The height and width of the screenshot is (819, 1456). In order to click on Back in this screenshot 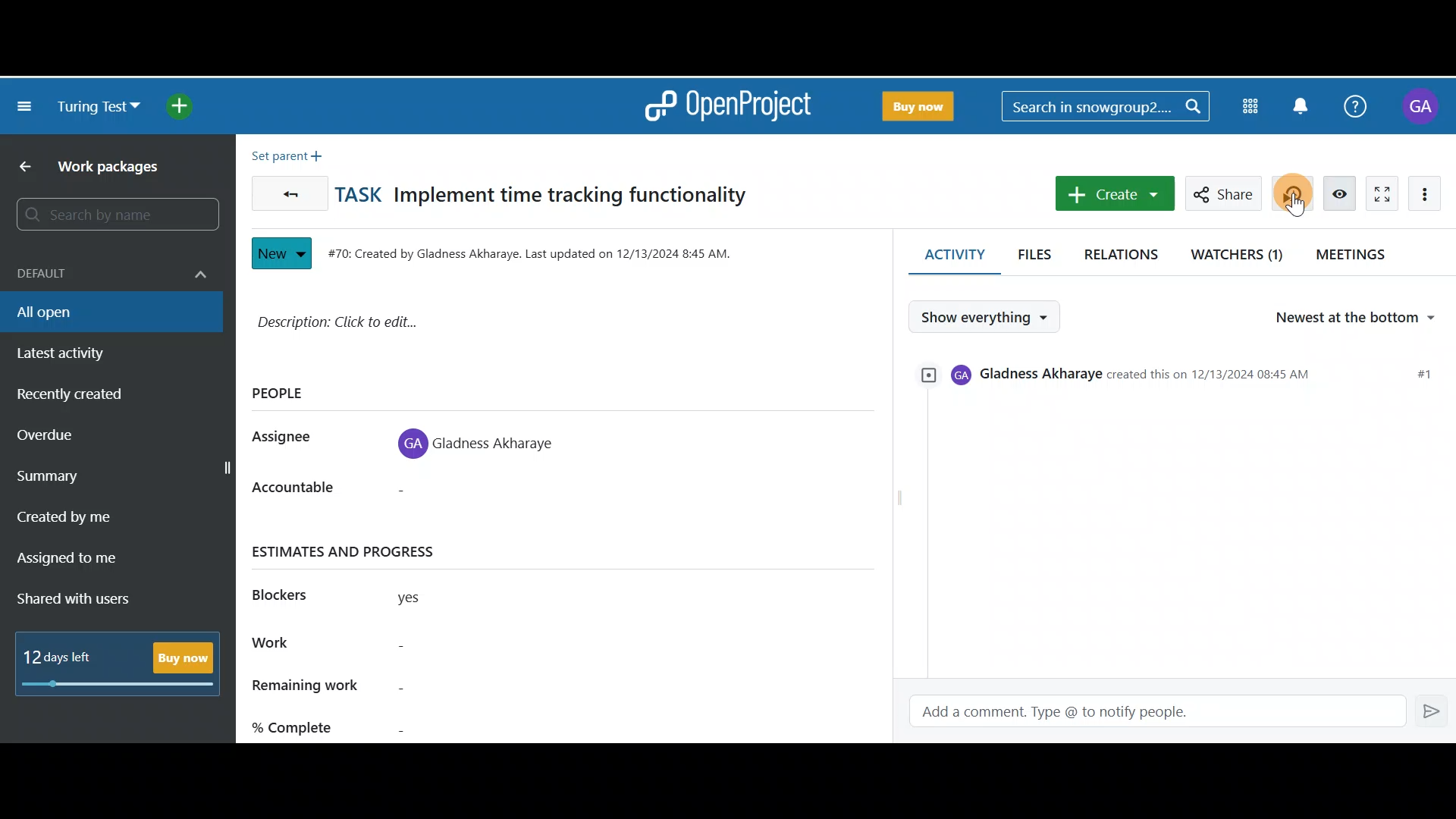, I will do `click(286, 190)`.